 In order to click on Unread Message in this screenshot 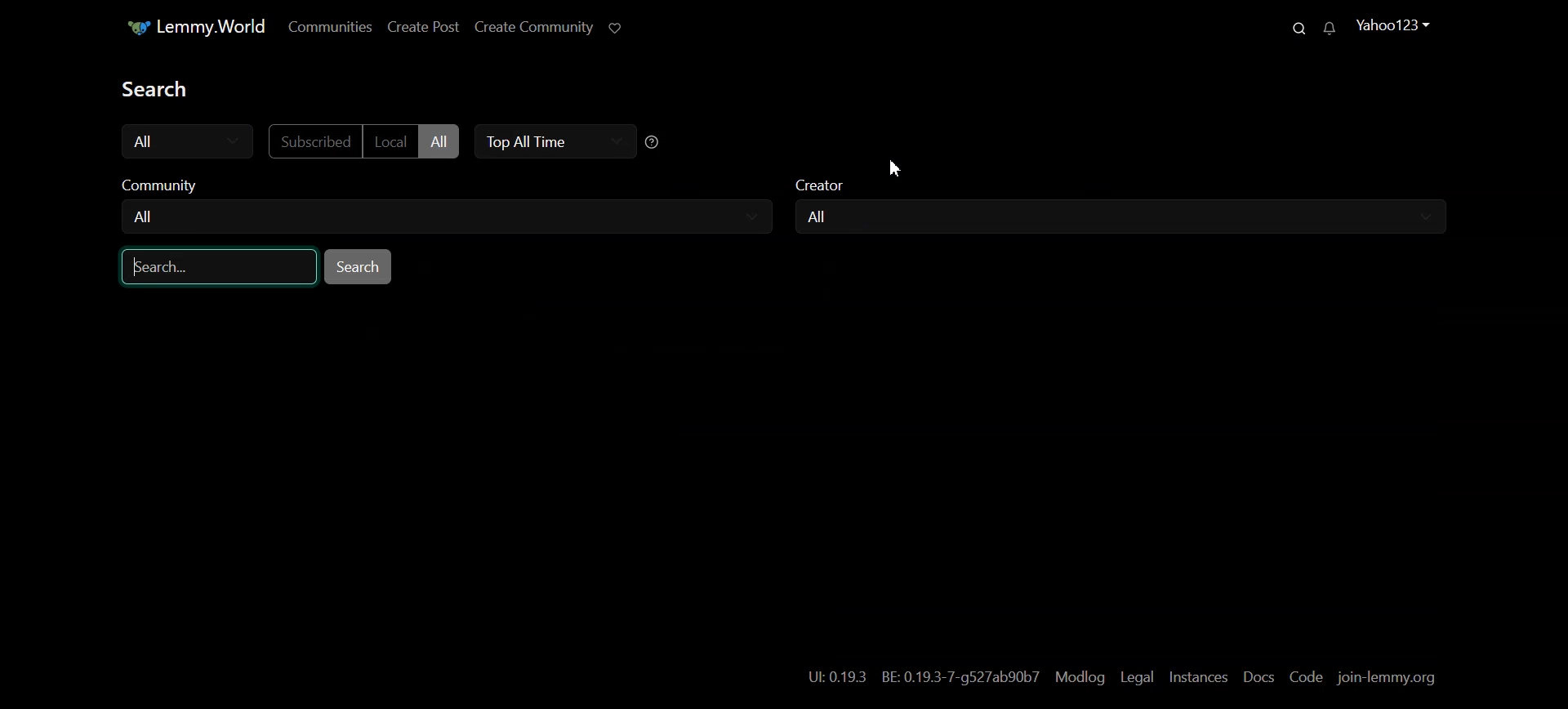, I will do `click(1329, 29)`.